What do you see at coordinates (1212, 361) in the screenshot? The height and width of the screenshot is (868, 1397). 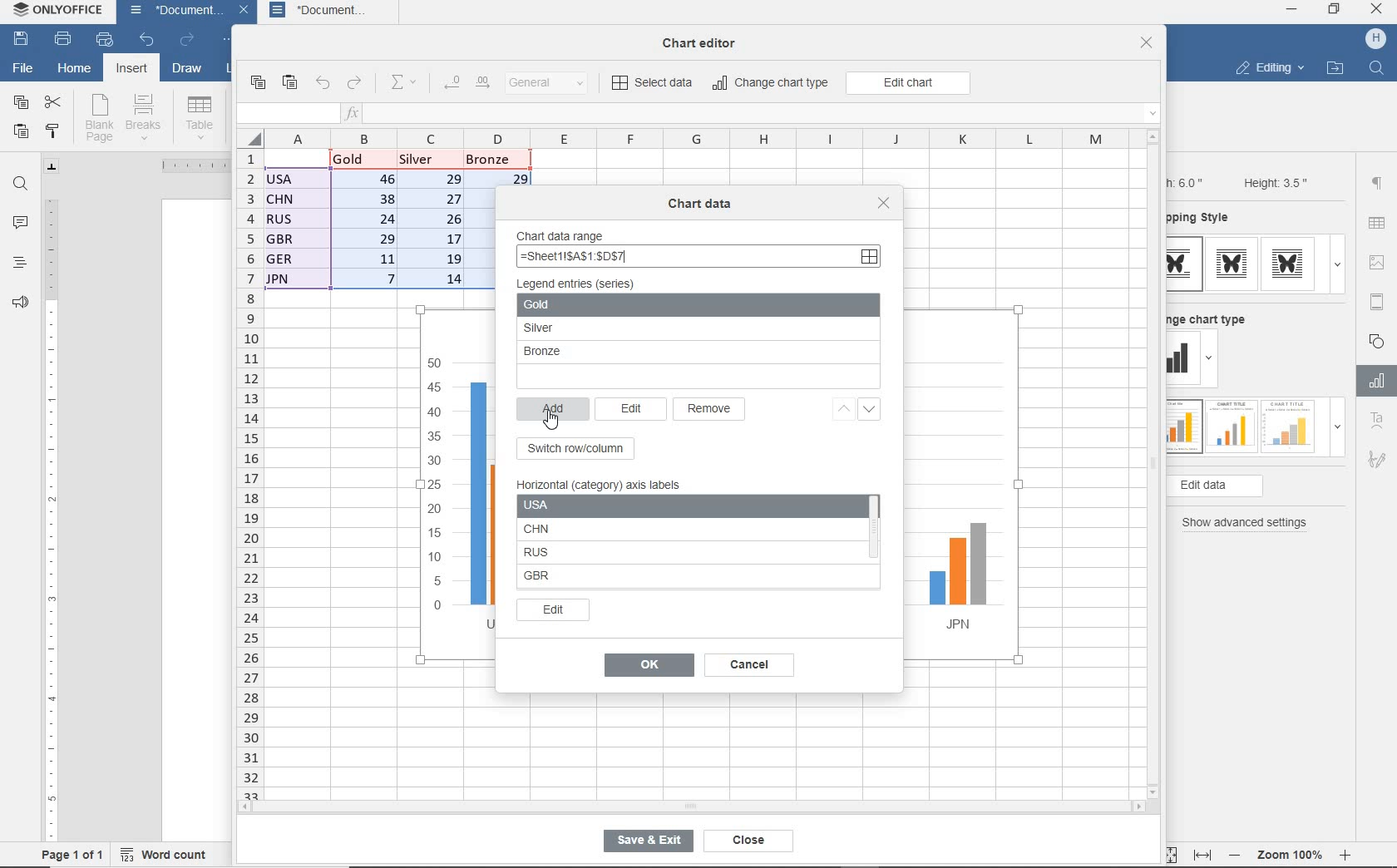 I see `dropdown` at bounding box center [1212, 361].